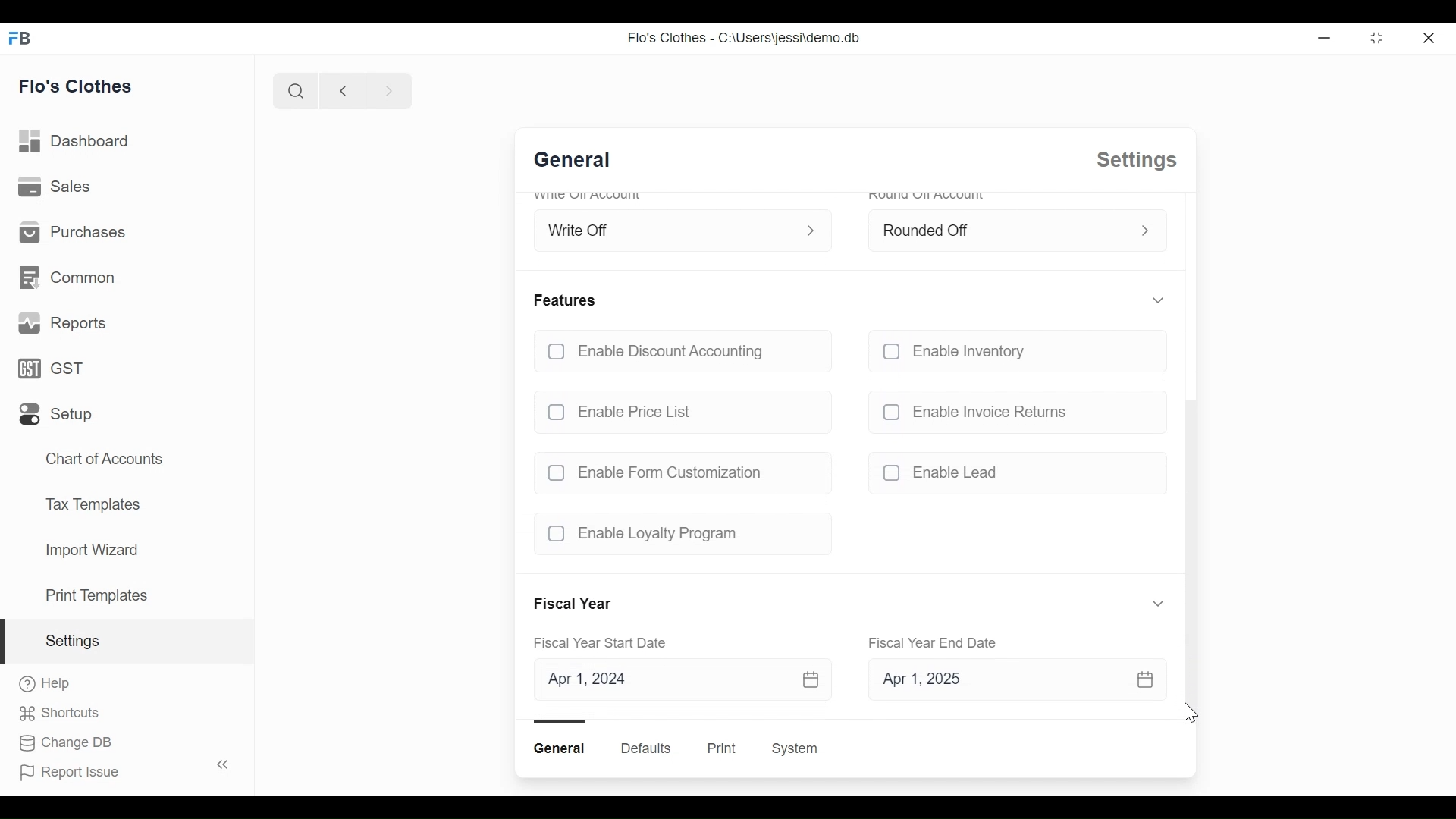 This screenshot has height=819, width=1456. I want to click on Fiscal Year End Date, so click(935, 642).